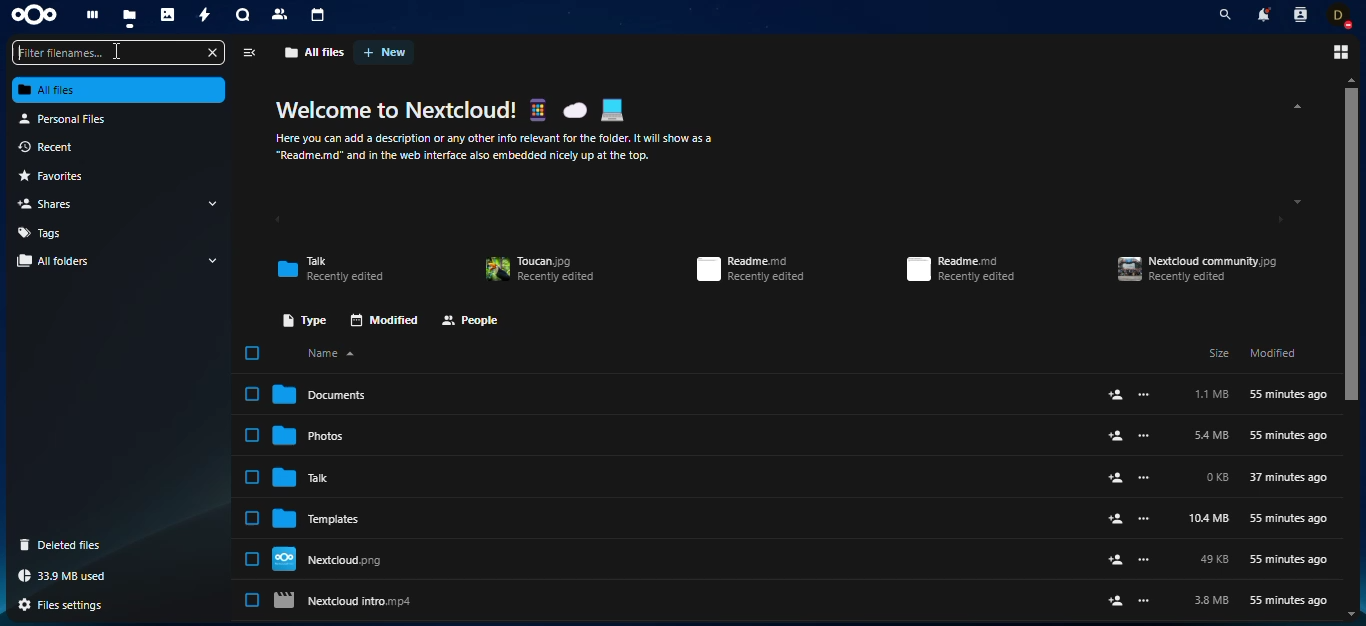 This screenshot has height=626, width=1366. I want to click on more, so click(1145, 394).